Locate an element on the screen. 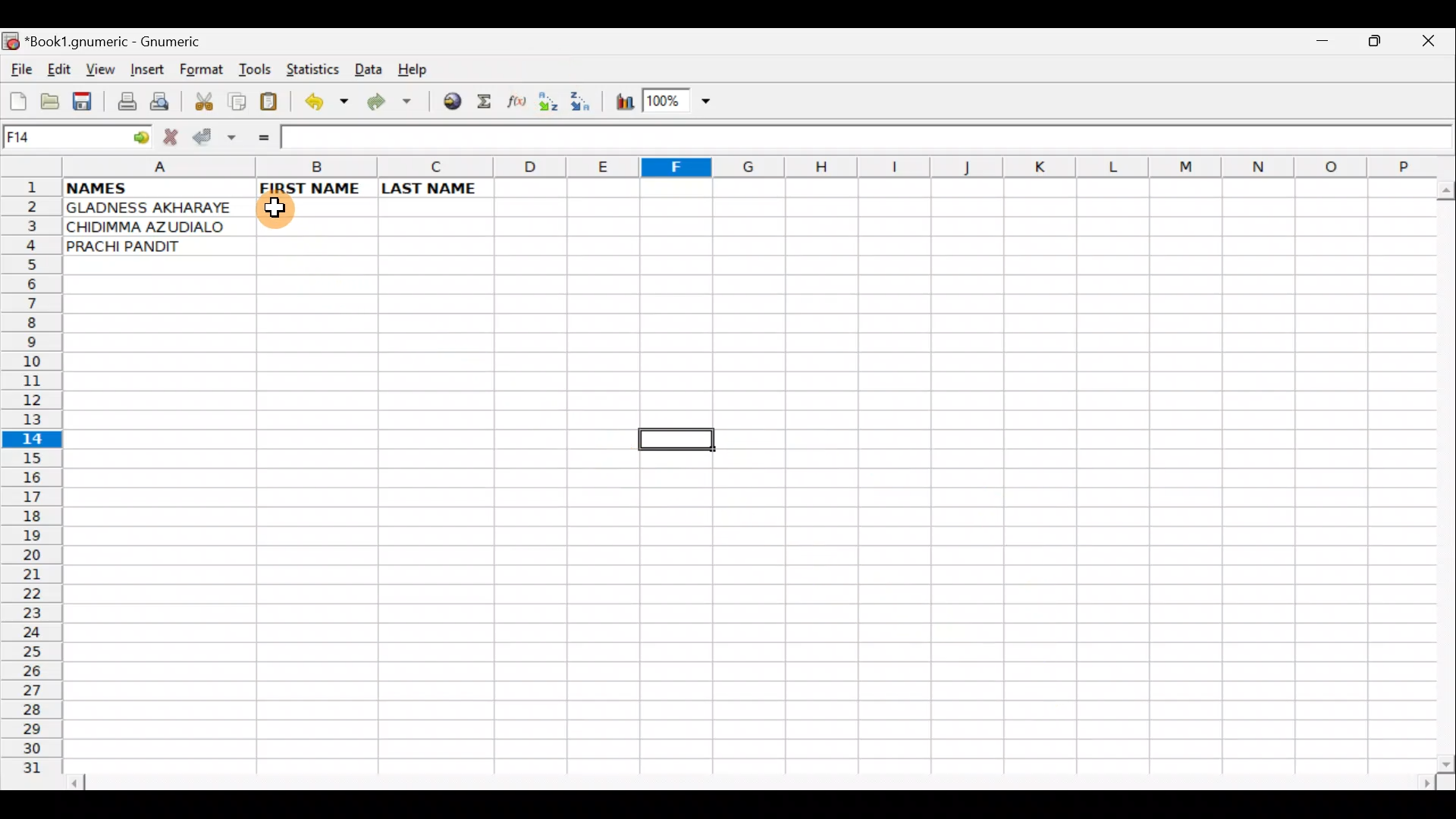  Undo last action is located at coordinates (328, 104).